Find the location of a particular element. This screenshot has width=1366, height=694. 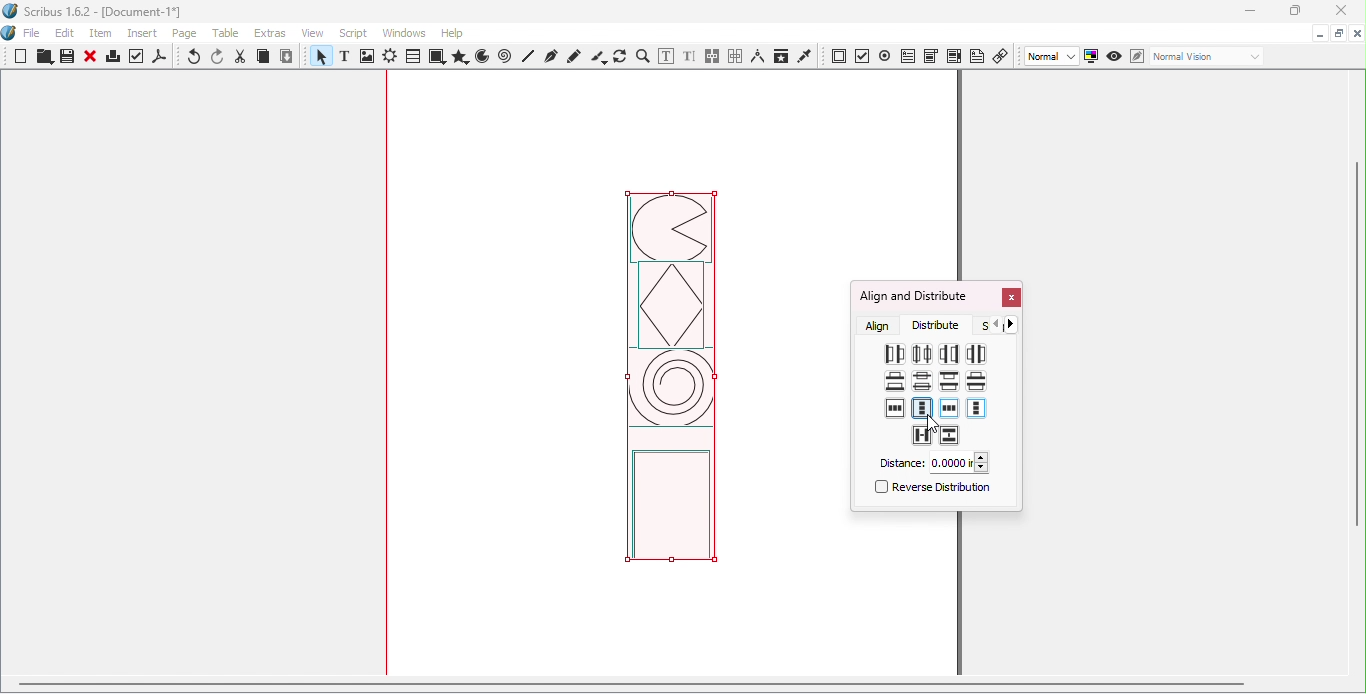

Insert is located at coordinates (145, 31).